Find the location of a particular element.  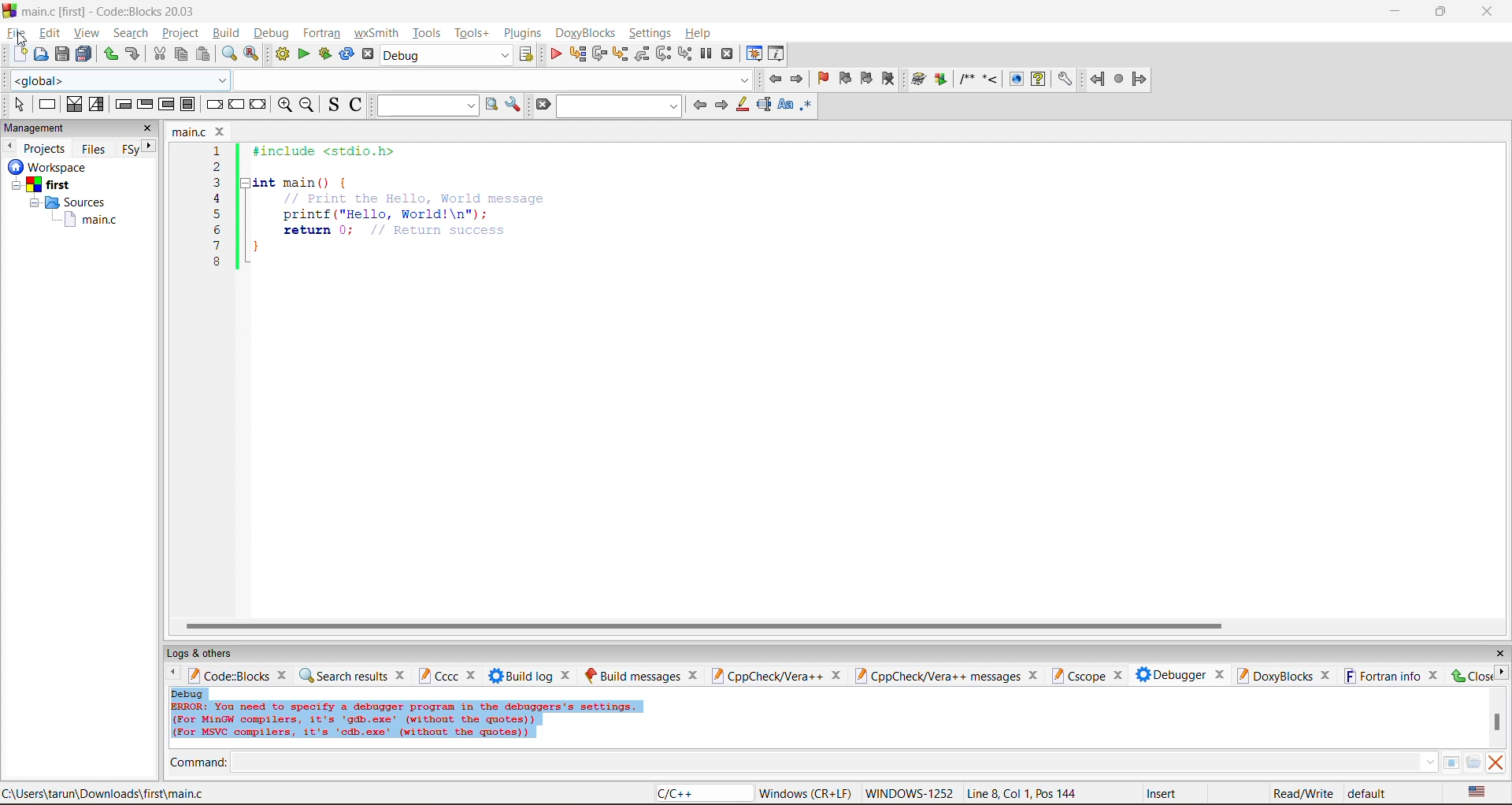

} is located at coordinates (256, 249).